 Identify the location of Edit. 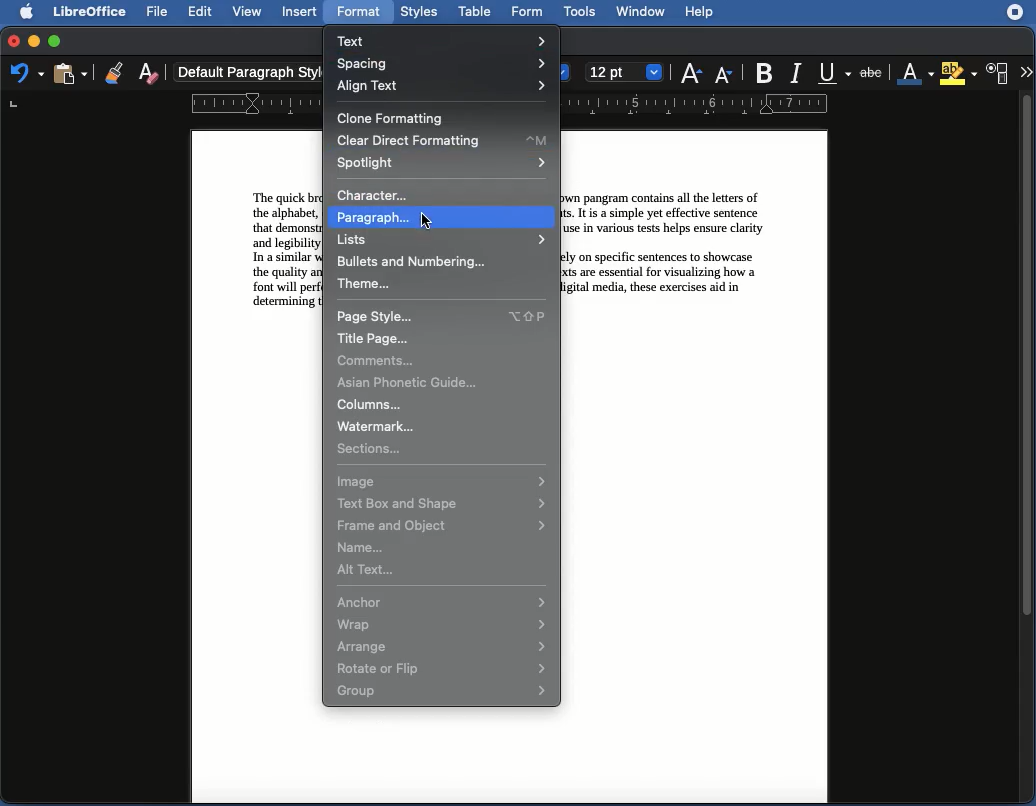
(201, 11).